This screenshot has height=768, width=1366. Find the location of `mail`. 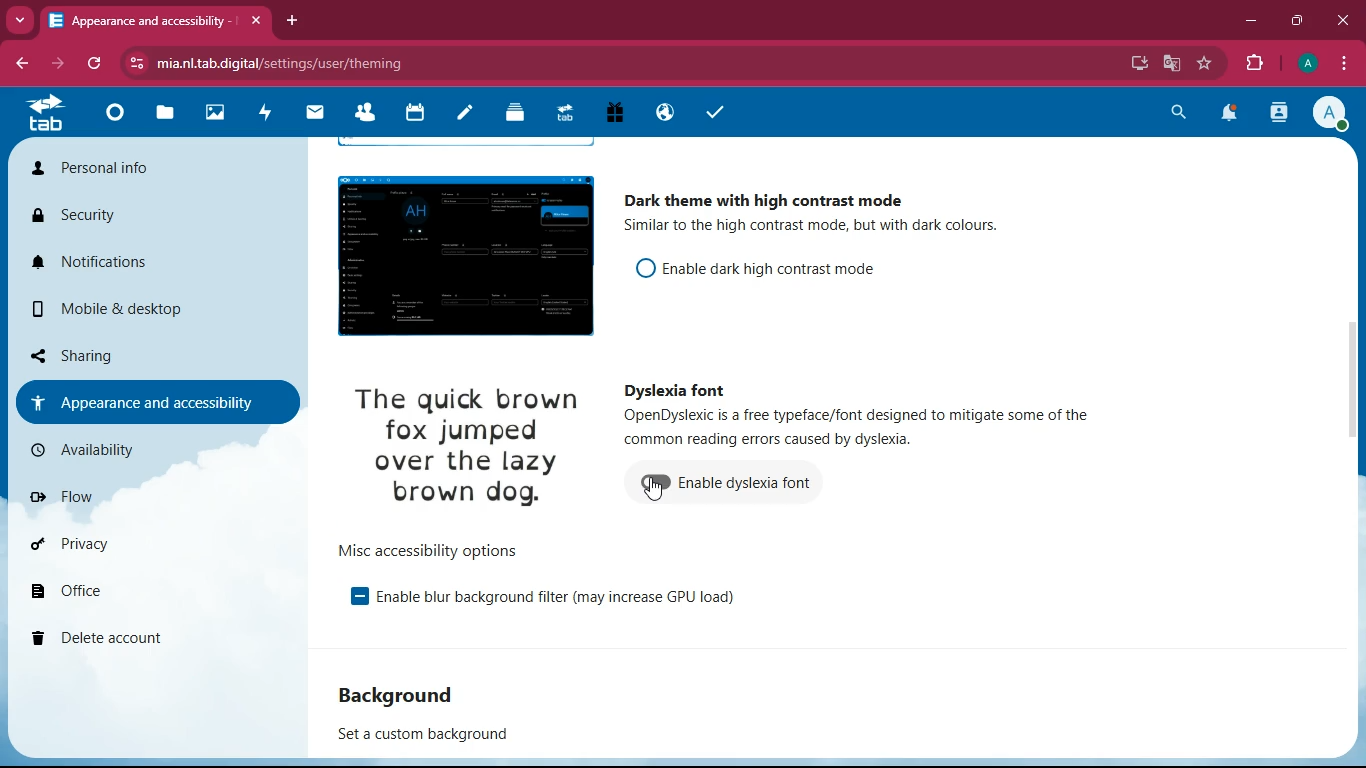

mail is located at coordinates (320, 112).